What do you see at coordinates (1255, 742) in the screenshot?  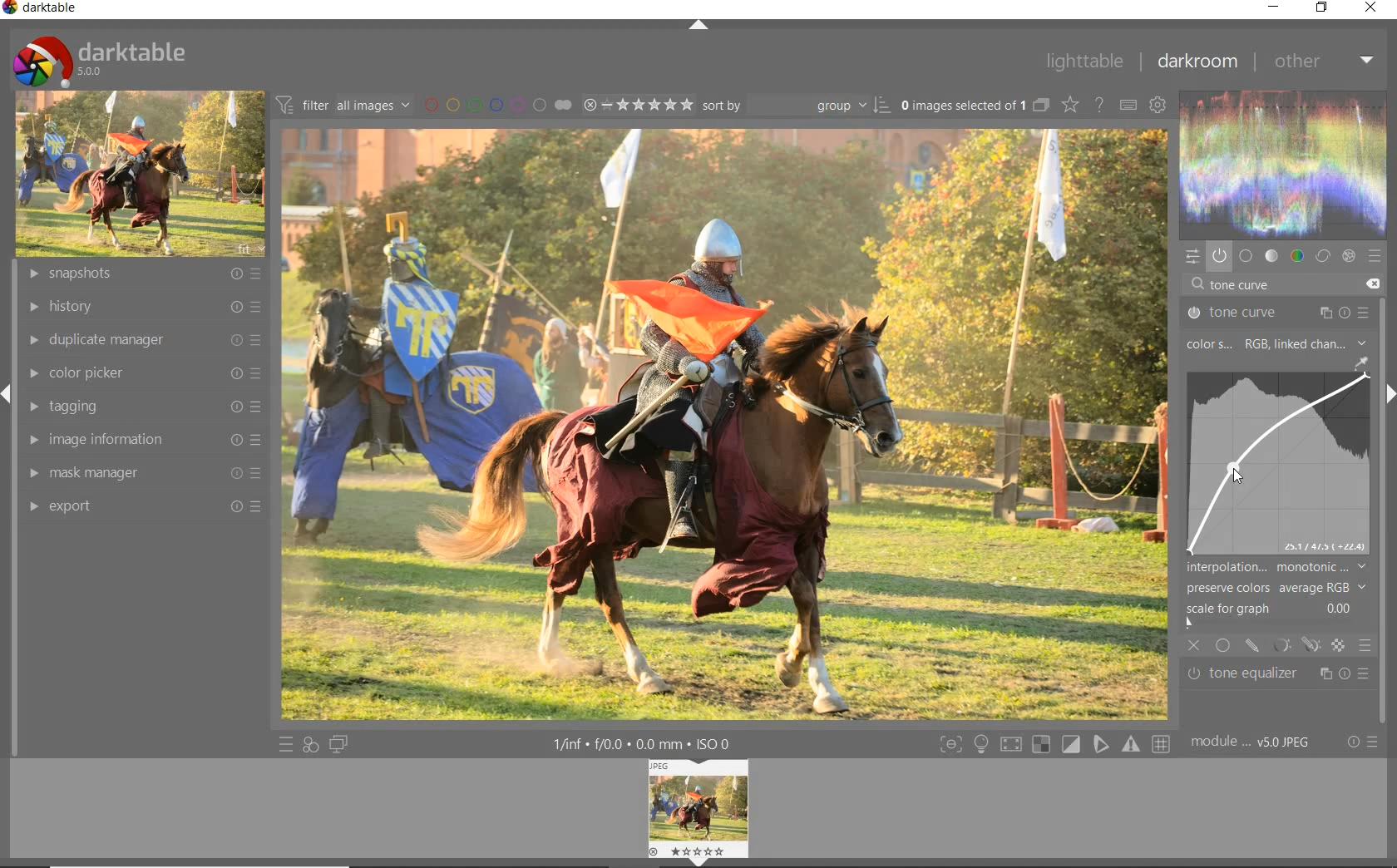 I see `module... v5.0 JPEG` at bounding box center [1255, 742].